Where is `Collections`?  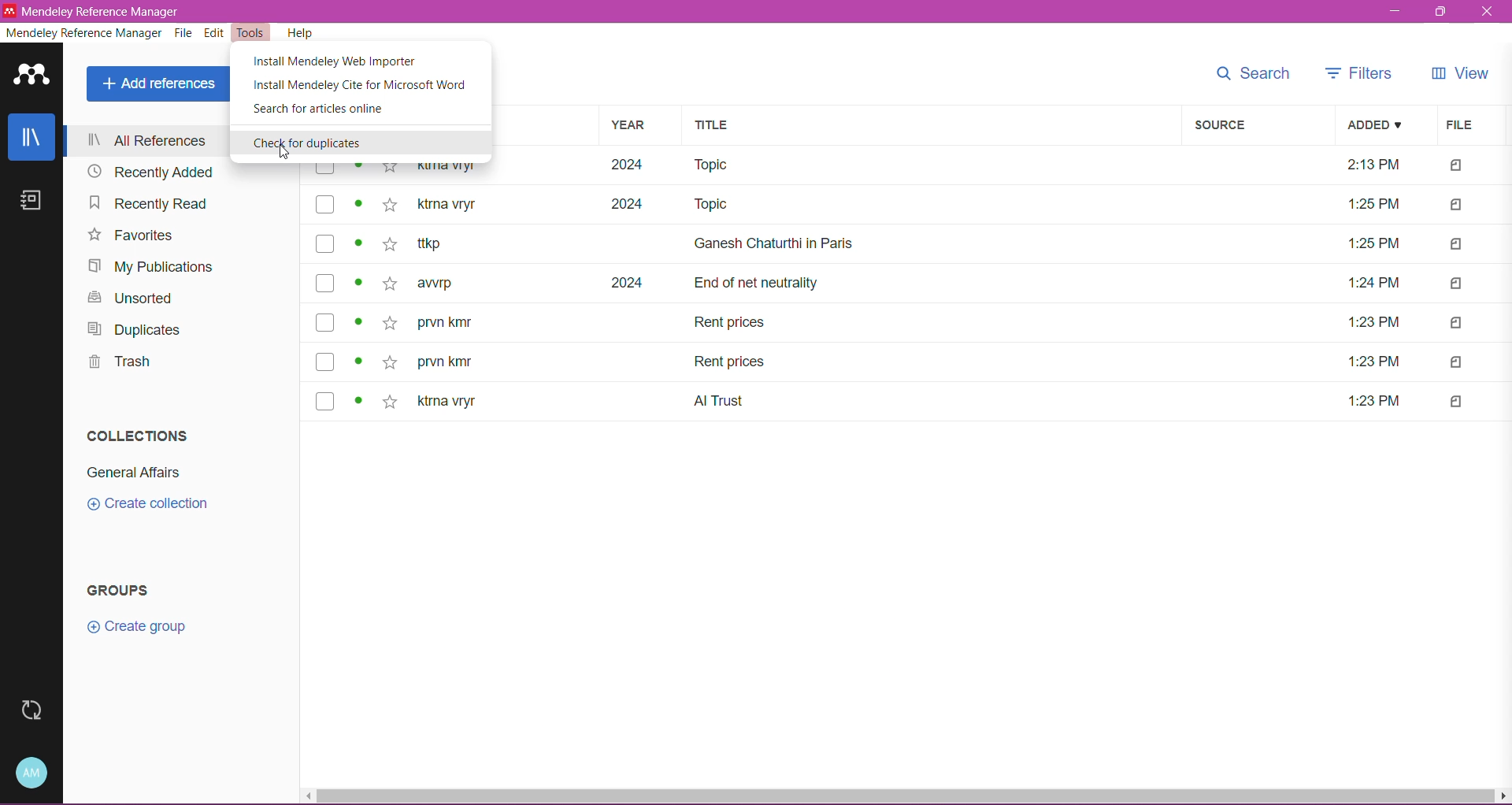
Collections is located at coordinates (134, 433).